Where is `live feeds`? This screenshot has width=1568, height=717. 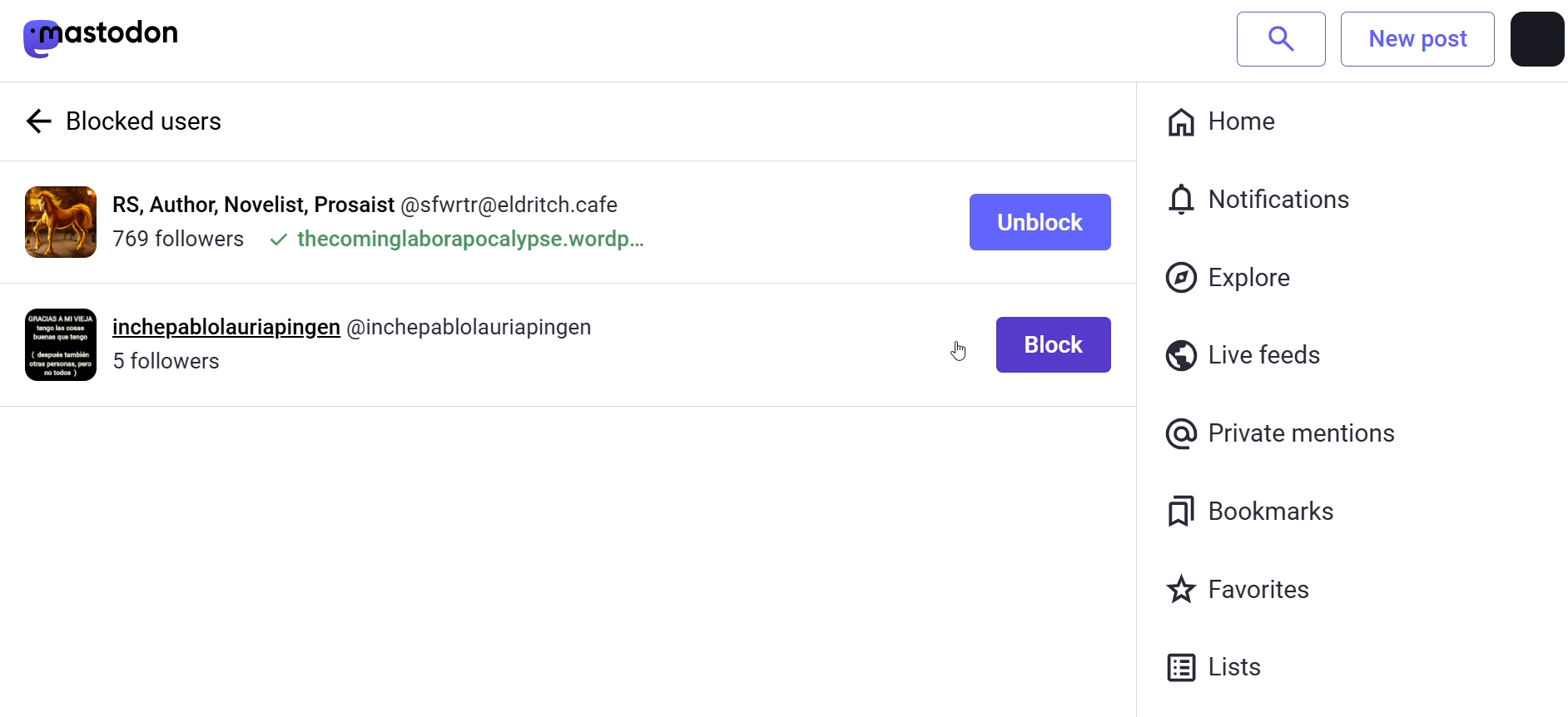 live feeds is located at coordinates (1248, 349).